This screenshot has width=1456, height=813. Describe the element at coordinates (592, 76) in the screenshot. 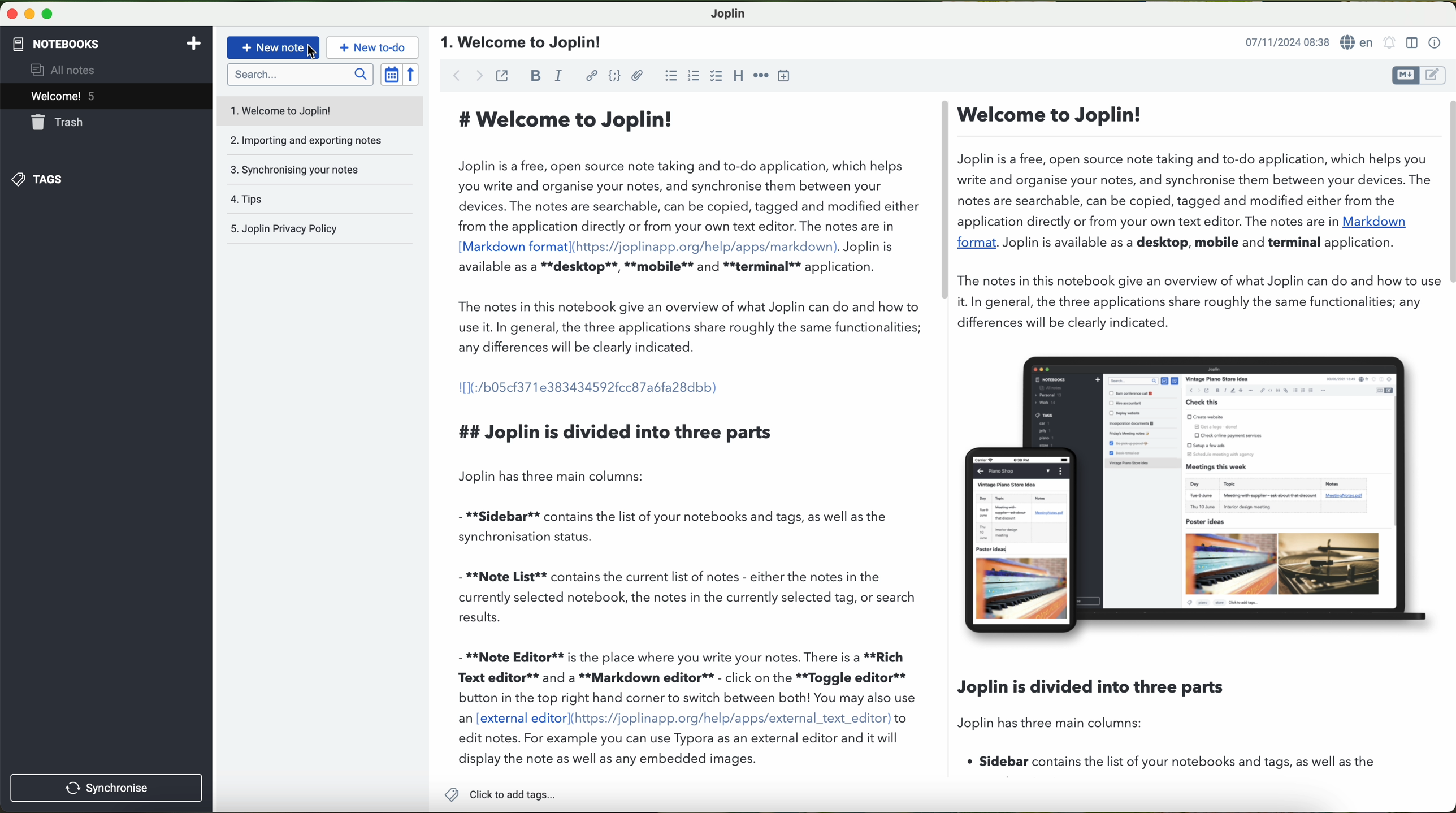

I see `hyperlink` at that location.